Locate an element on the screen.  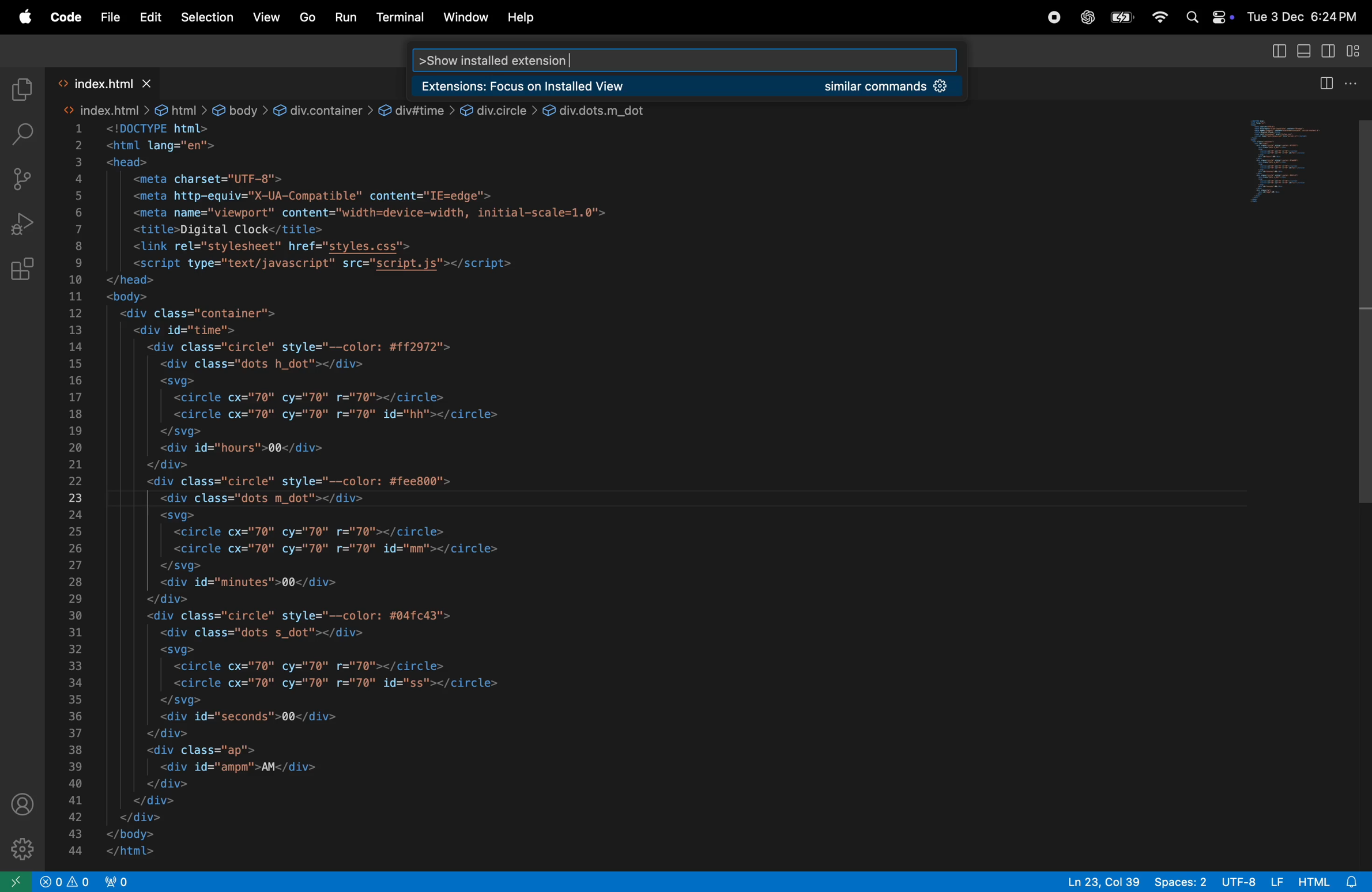
typing cursor is located at coordinates (574, 54).